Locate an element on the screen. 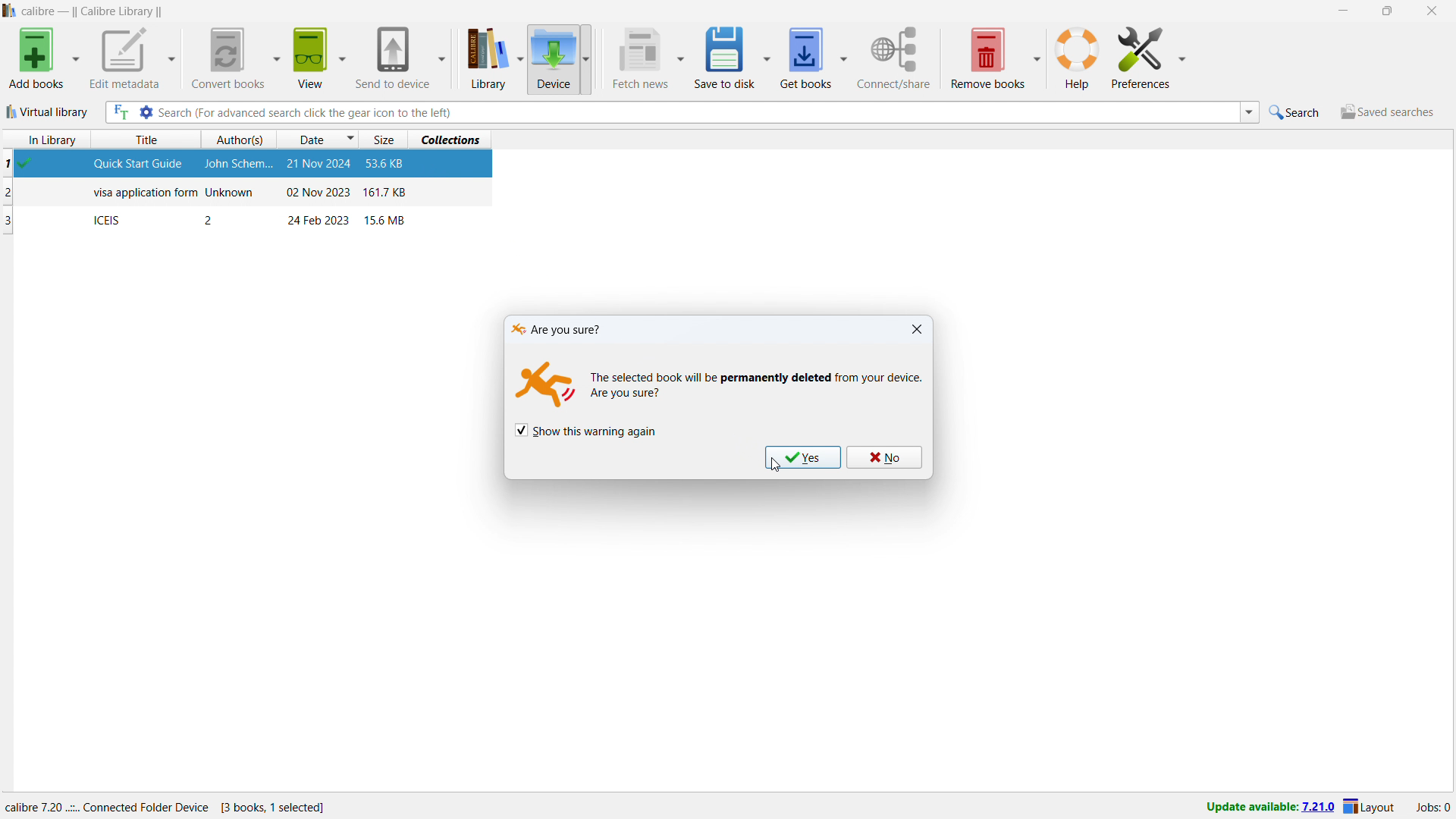 The image size is (1456, 819). help is located at coordinates (1077, 57).